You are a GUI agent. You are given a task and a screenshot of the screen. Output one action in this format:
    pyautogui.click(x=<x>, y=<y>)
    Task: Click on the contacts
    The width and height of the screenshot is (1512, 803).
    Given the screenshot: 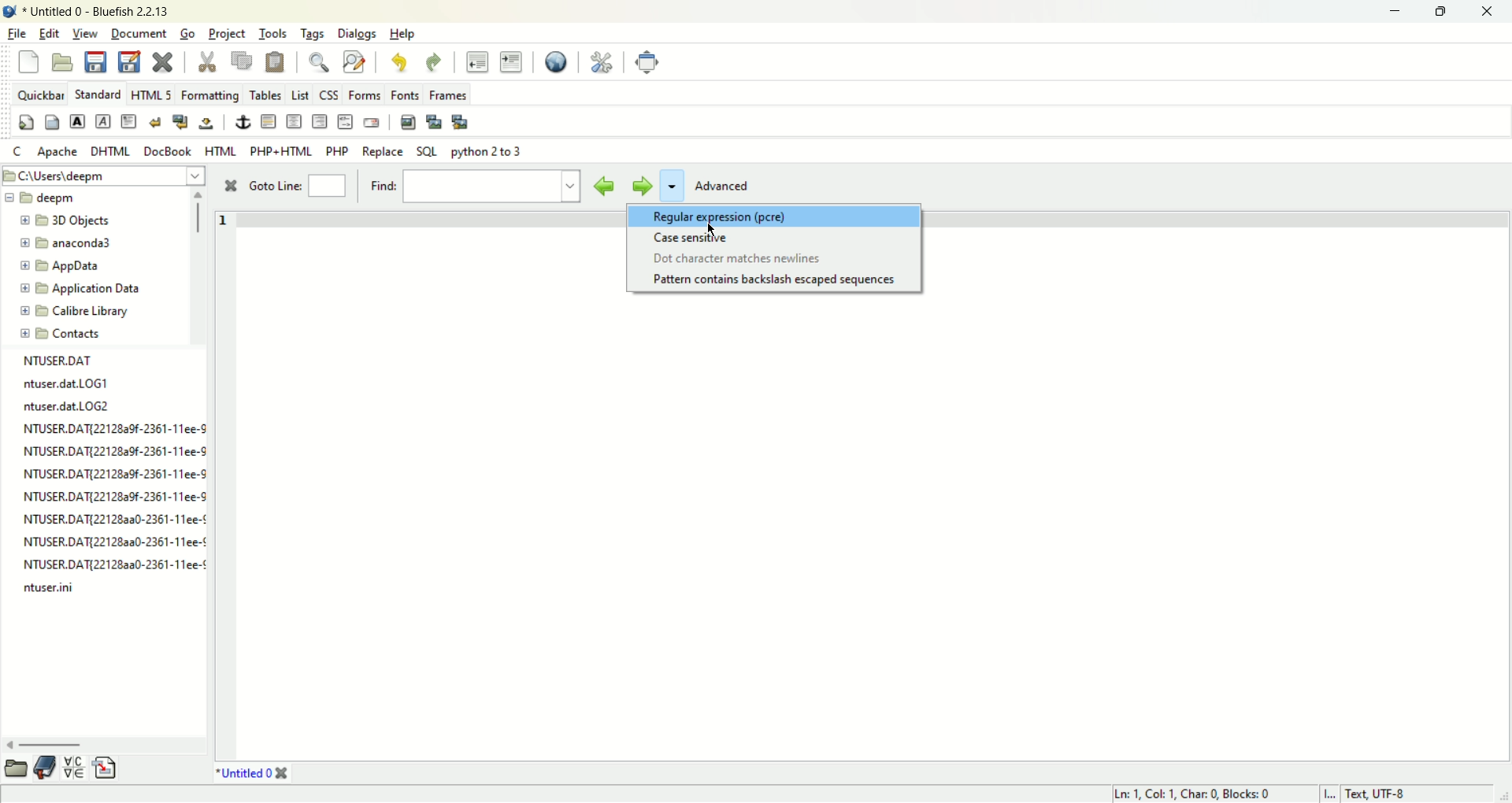 What is the action you would take?
    pyautogui.click(x=61, y=334)
    